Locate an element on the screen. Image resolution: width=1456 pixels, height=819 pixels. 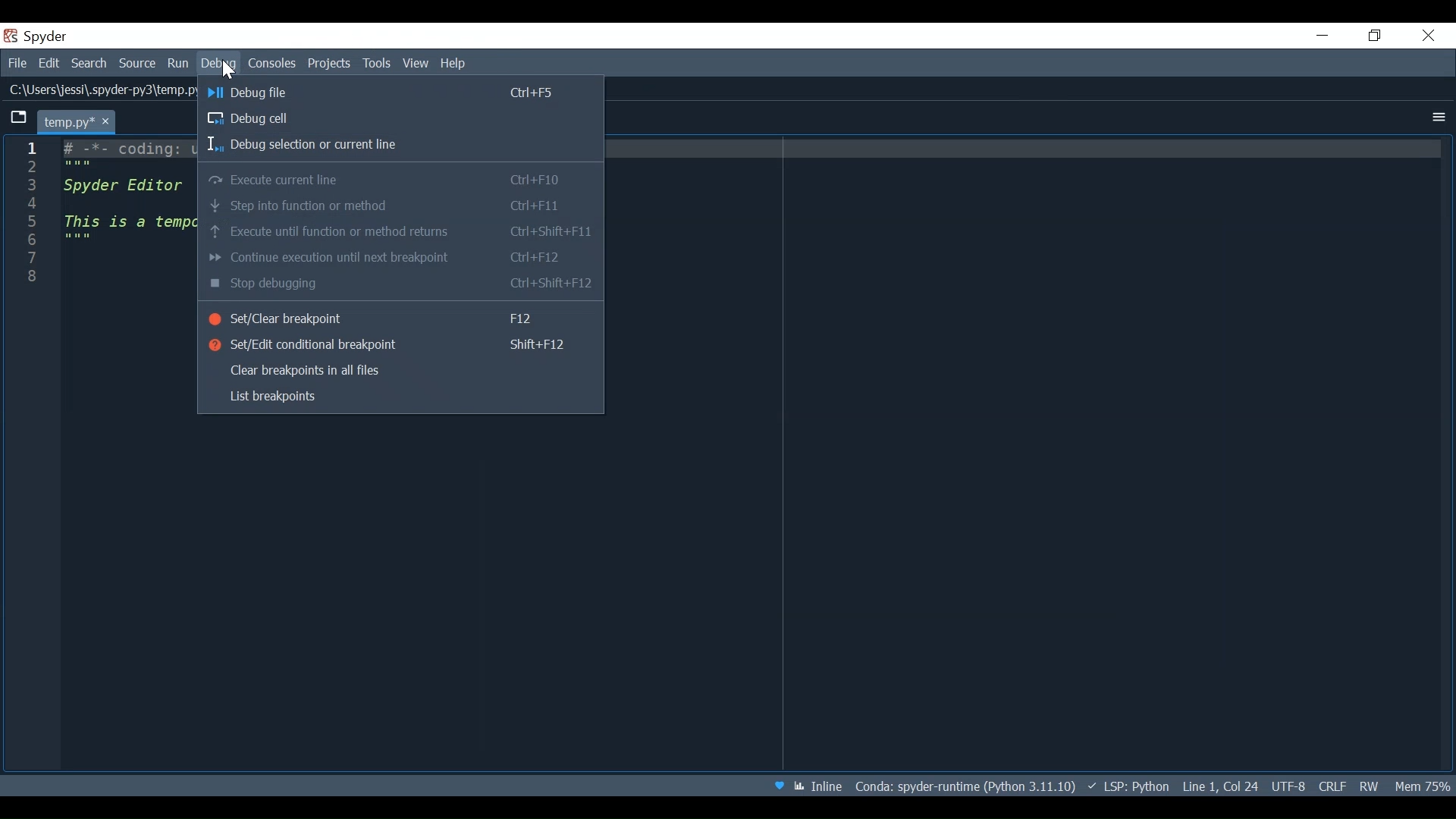
more options is located at coordinates (1436, 117).